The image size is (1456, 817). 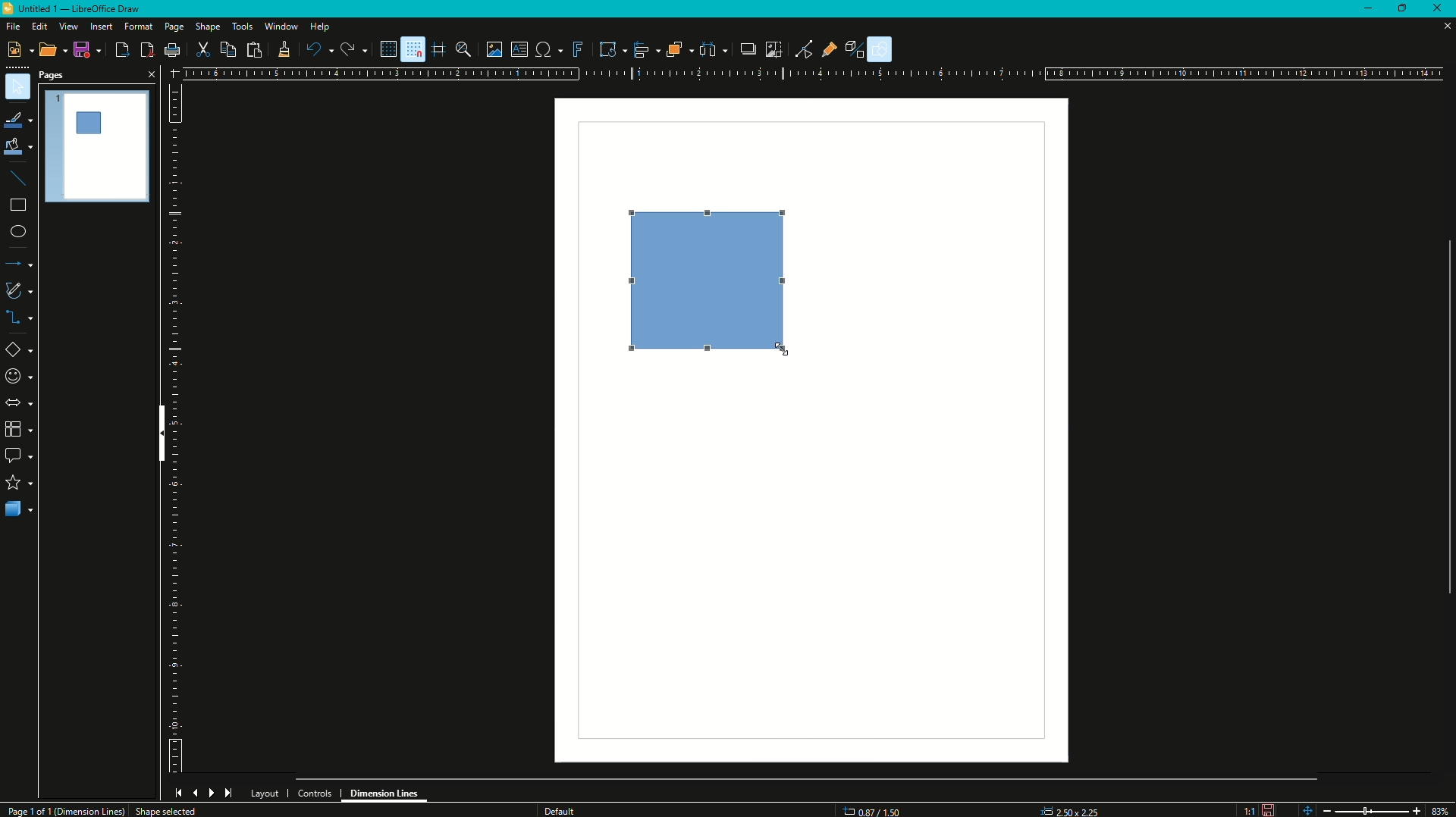 I want to click on Crop Image, so click(x=770, y=48).